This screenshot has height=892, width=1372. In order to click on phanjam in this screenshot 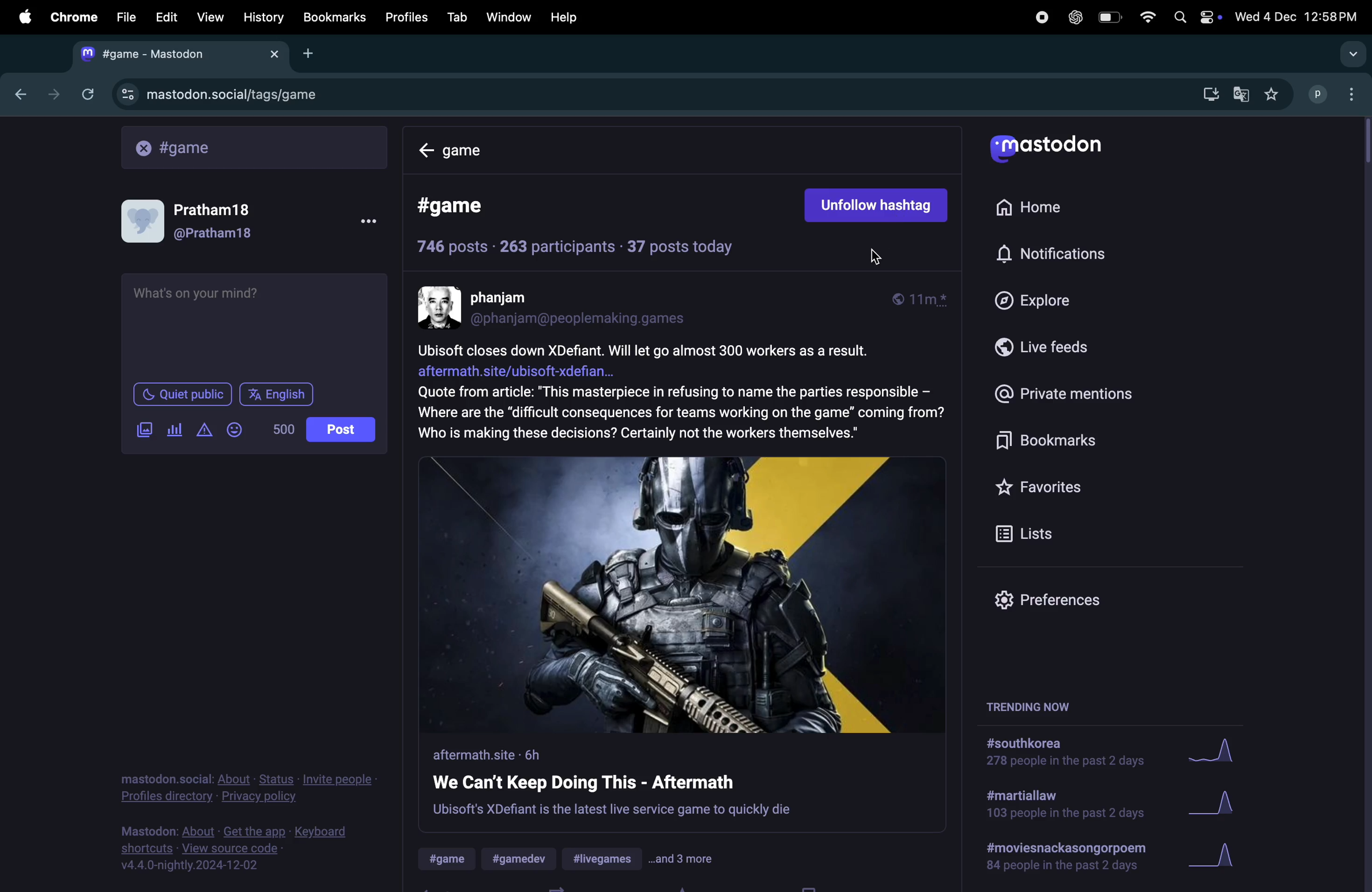, I will do `click(511, 298)`.